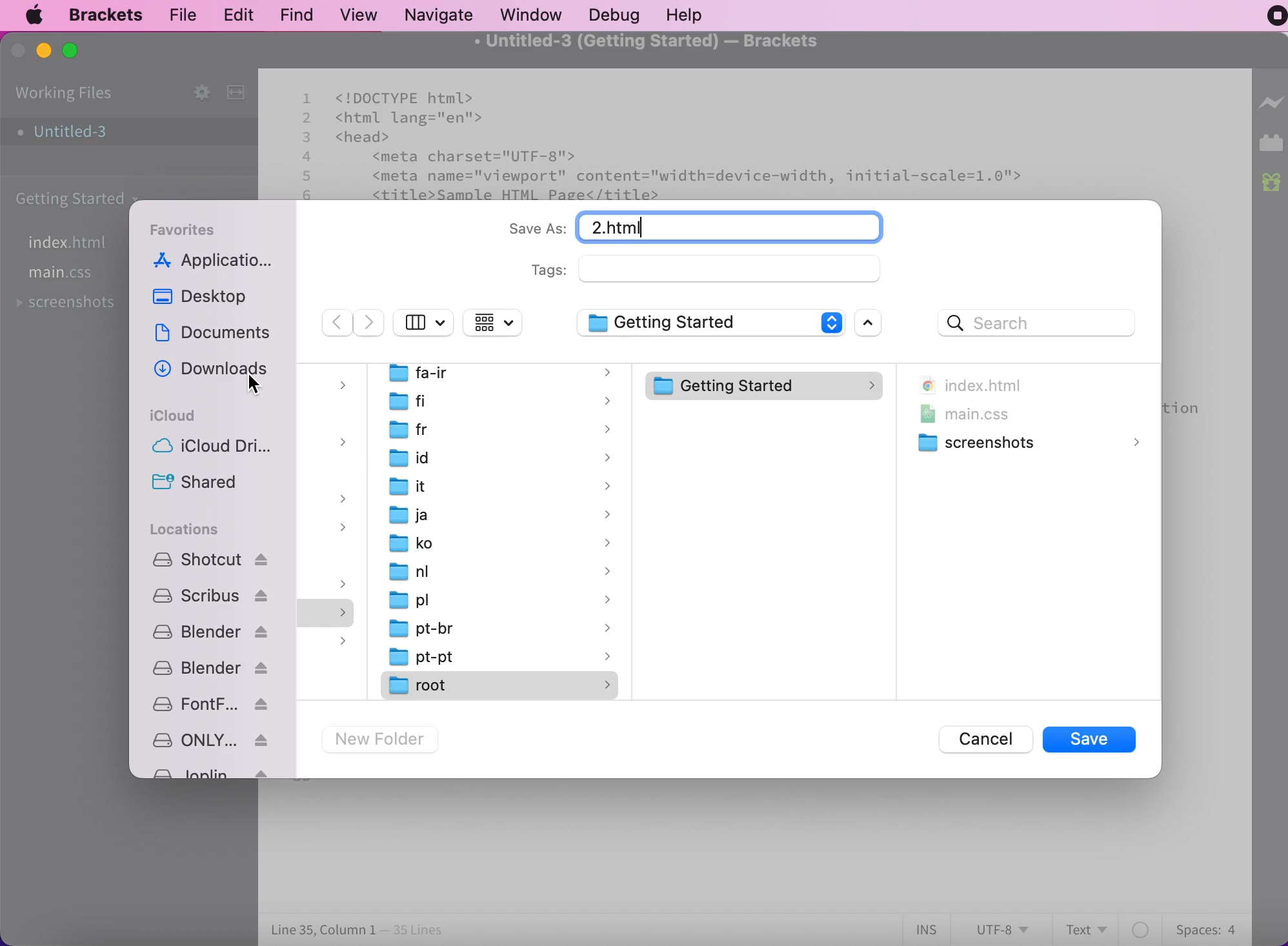 Image resolution: width=1288 pixels, height=946 pixels. I want to click on window, so click(533, 14).